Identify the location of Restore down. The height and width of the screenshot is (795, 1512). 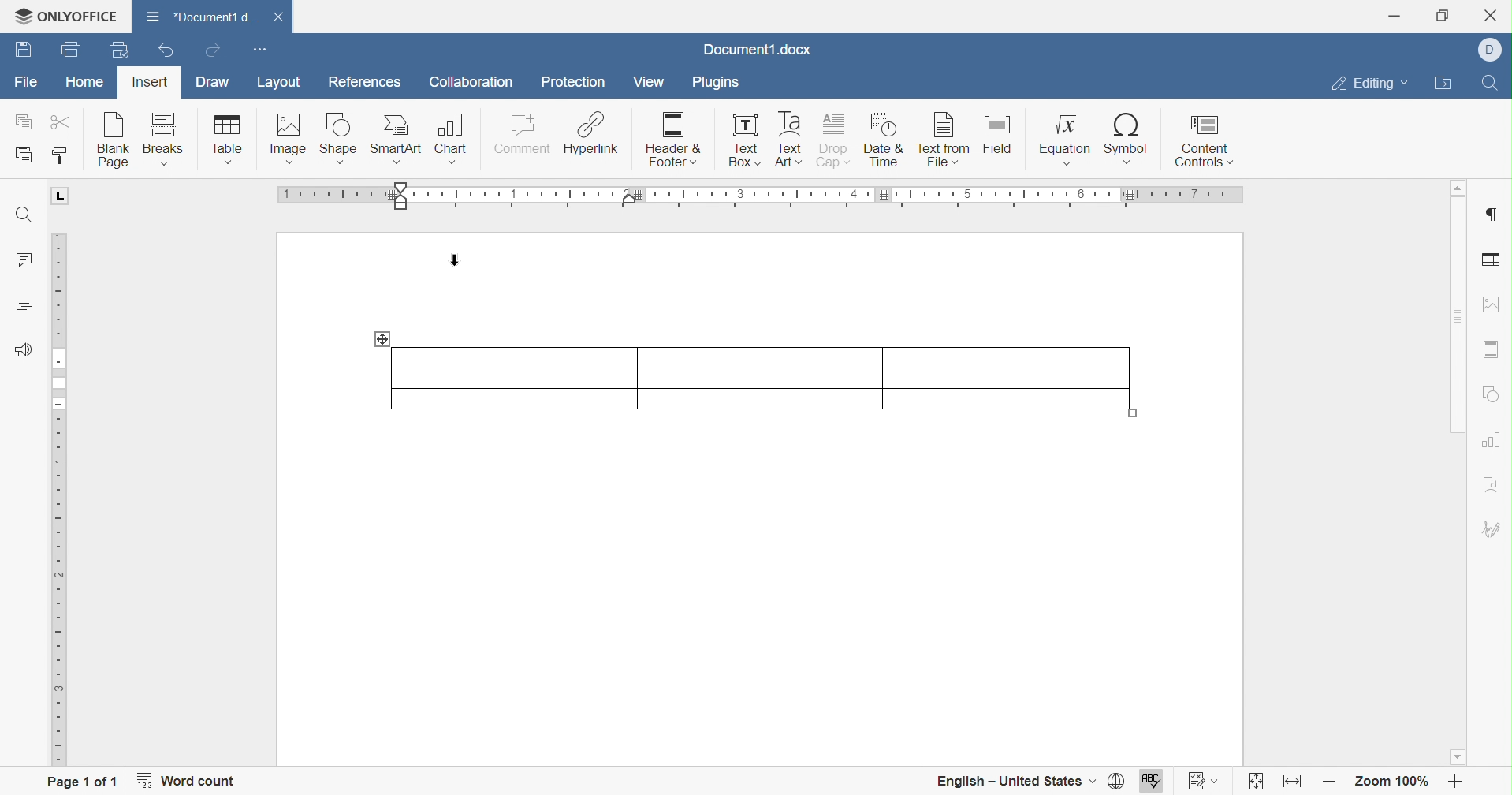
(1442, 17).